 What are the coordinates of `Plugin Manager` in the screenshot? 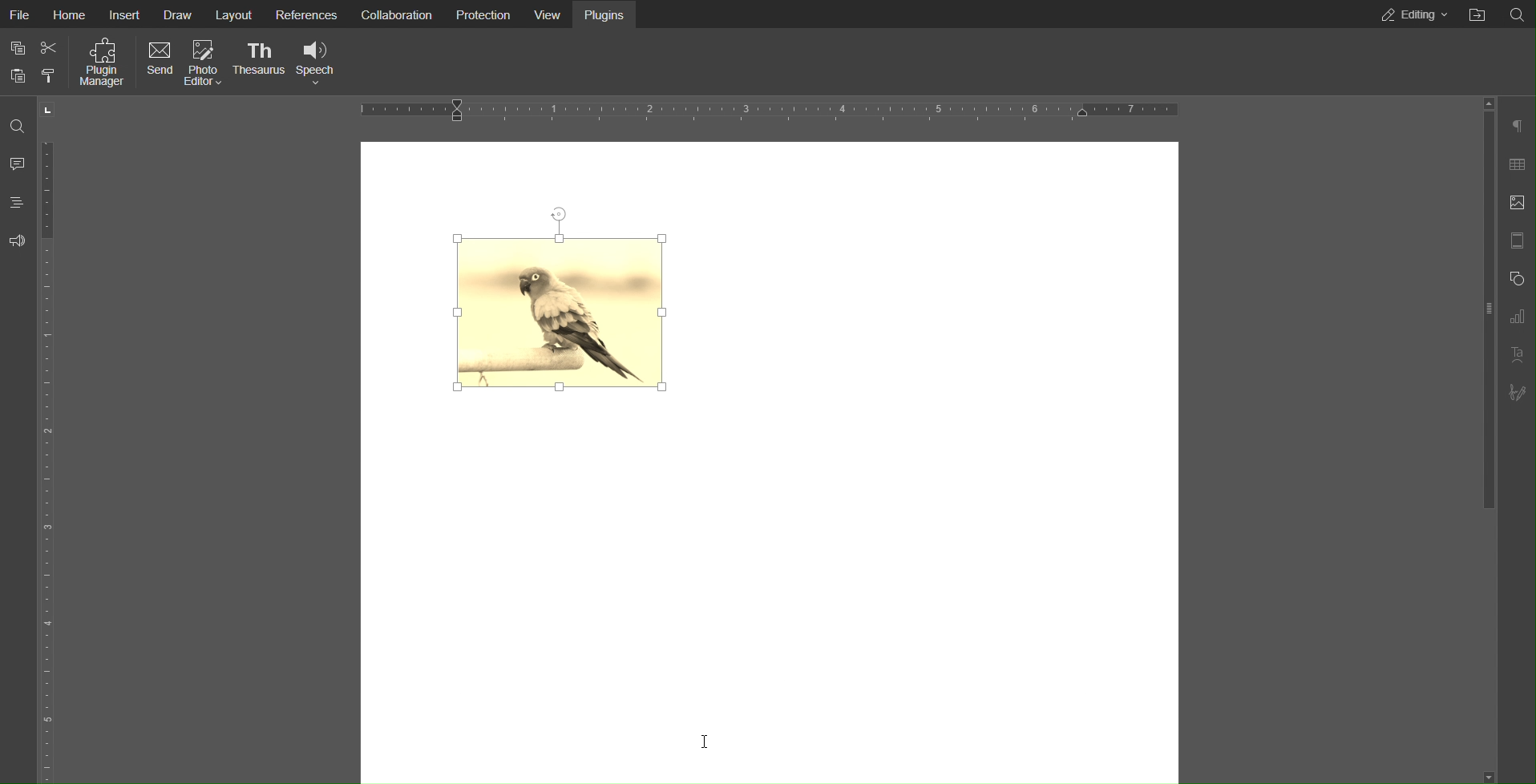 It's located at (104, 63).